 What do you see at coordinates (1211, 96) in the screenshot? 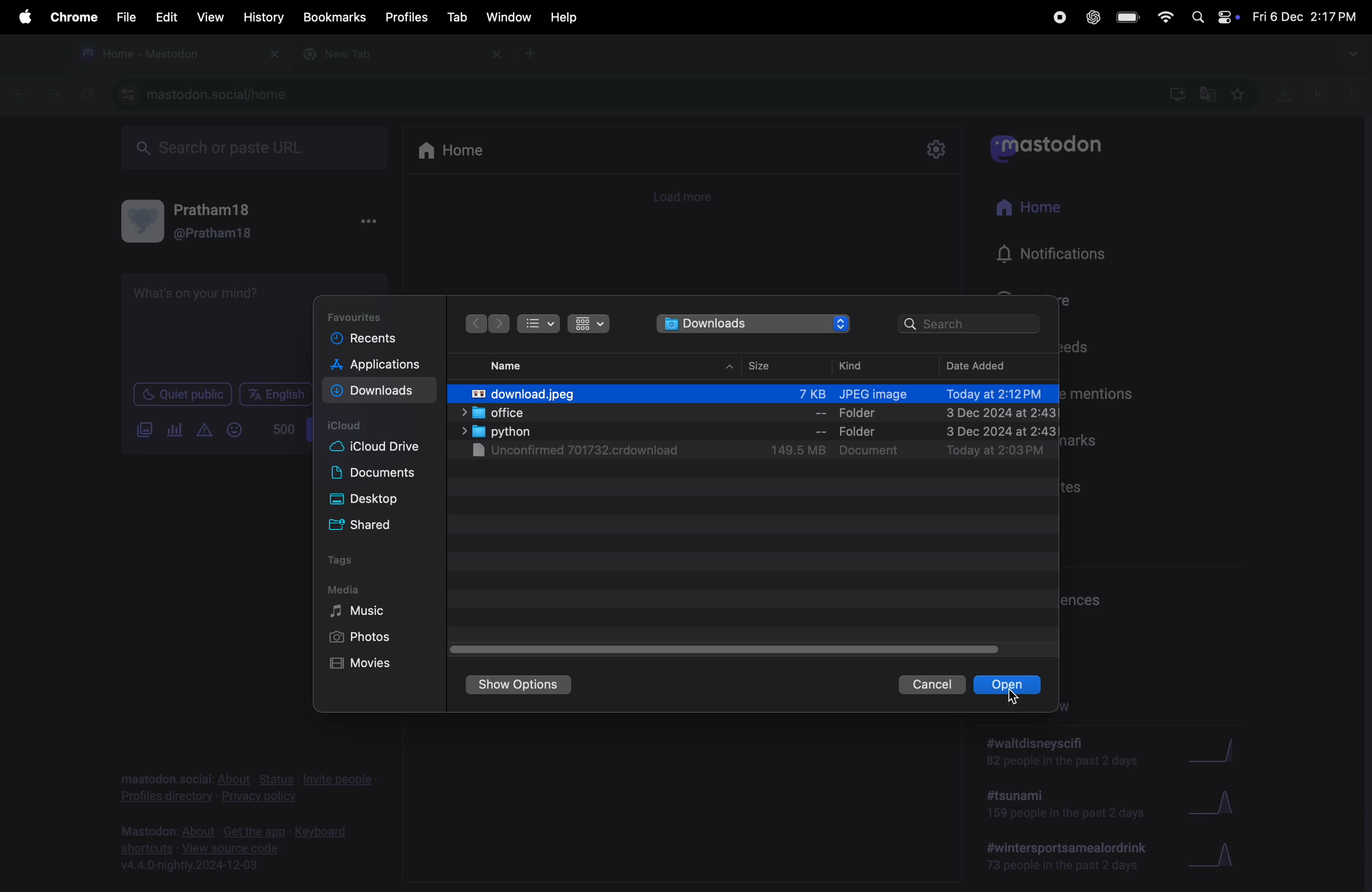
I see `translate` at bounding box center [1211, 96].